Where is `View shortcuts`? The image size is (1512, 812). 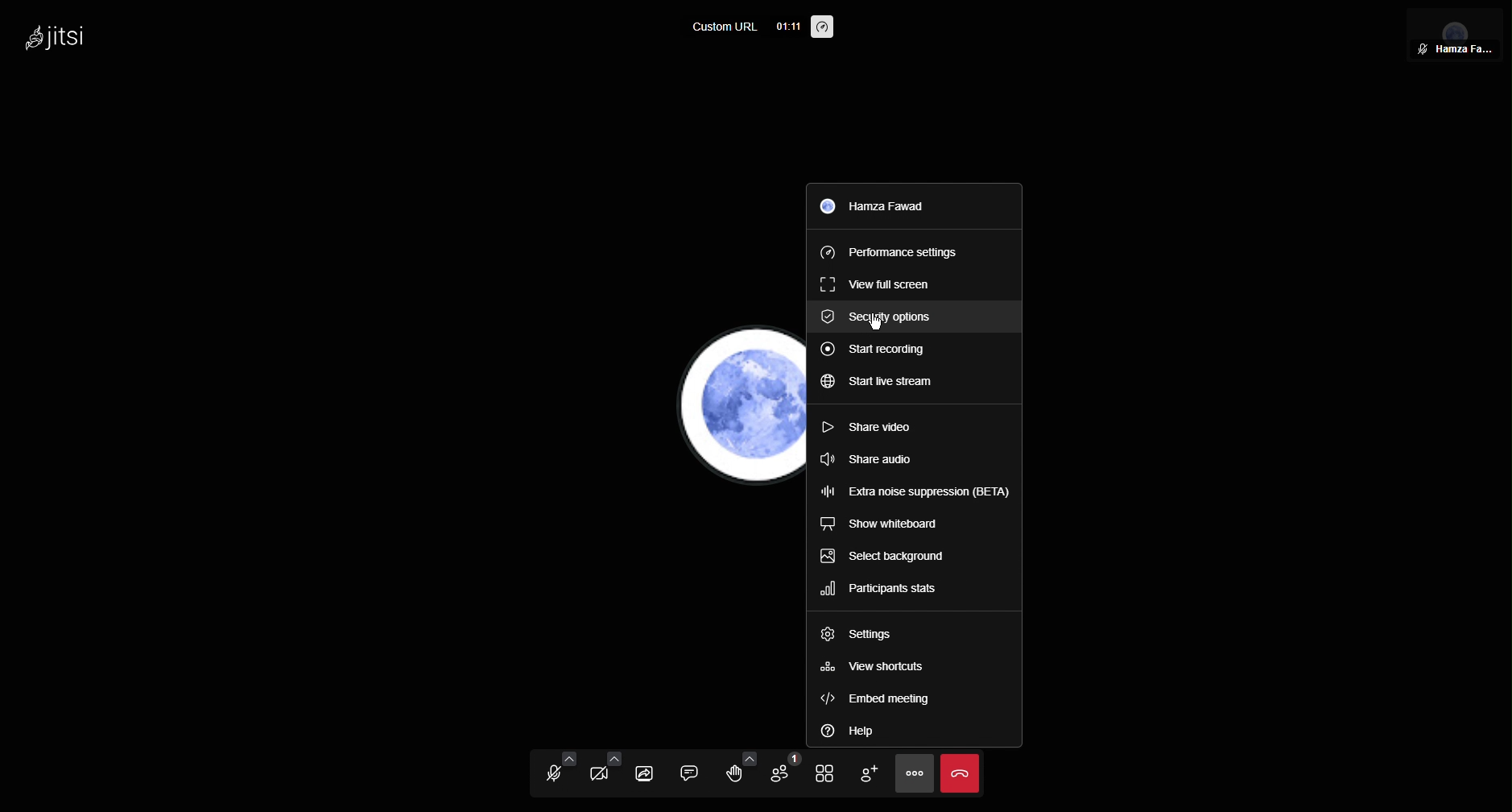 View shortcuts is located at coordinates (873, 669).